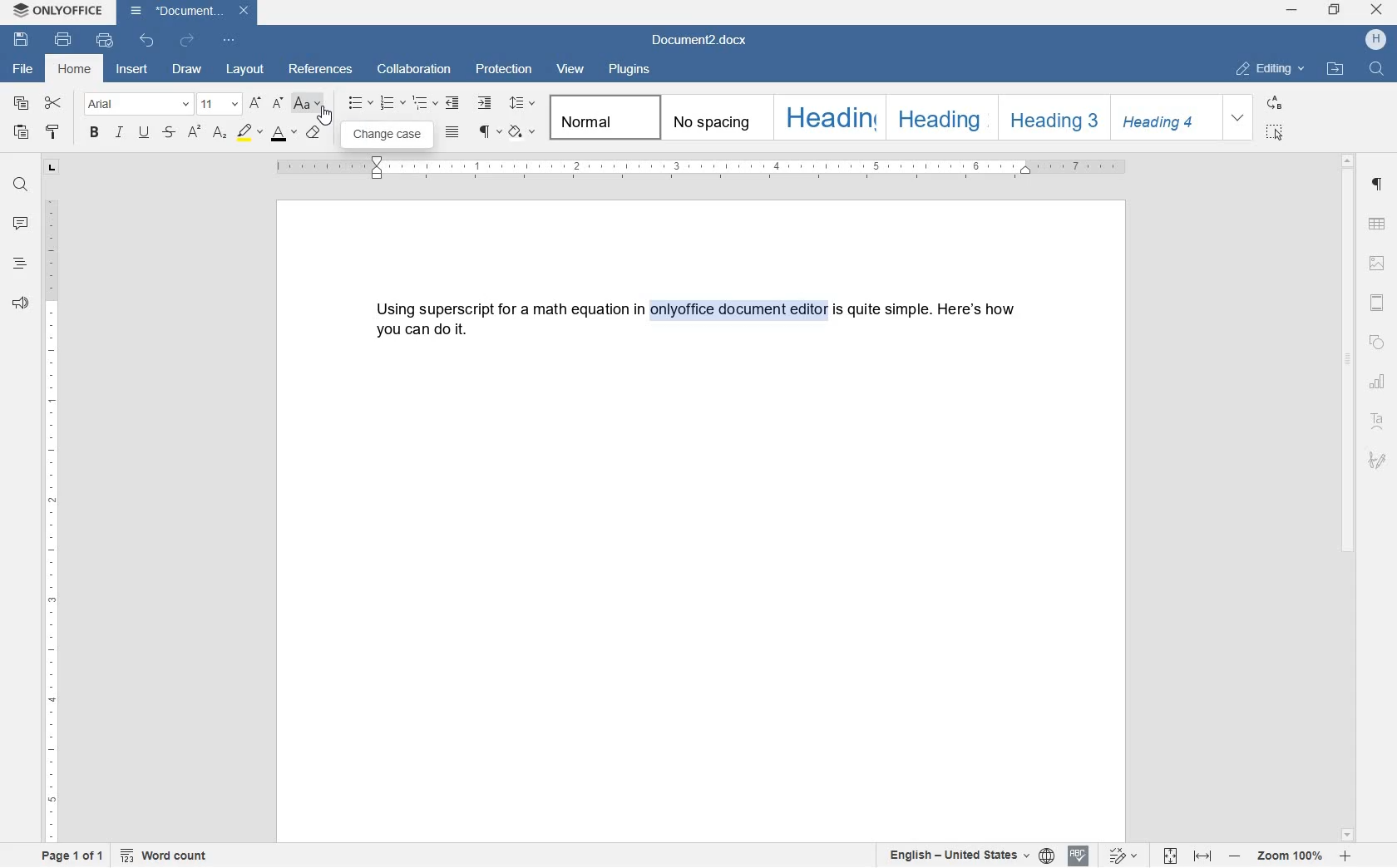  What do you see at coordinates (521, 133) in the screenshot?
I see `shading` at bounding box center [521, 133].